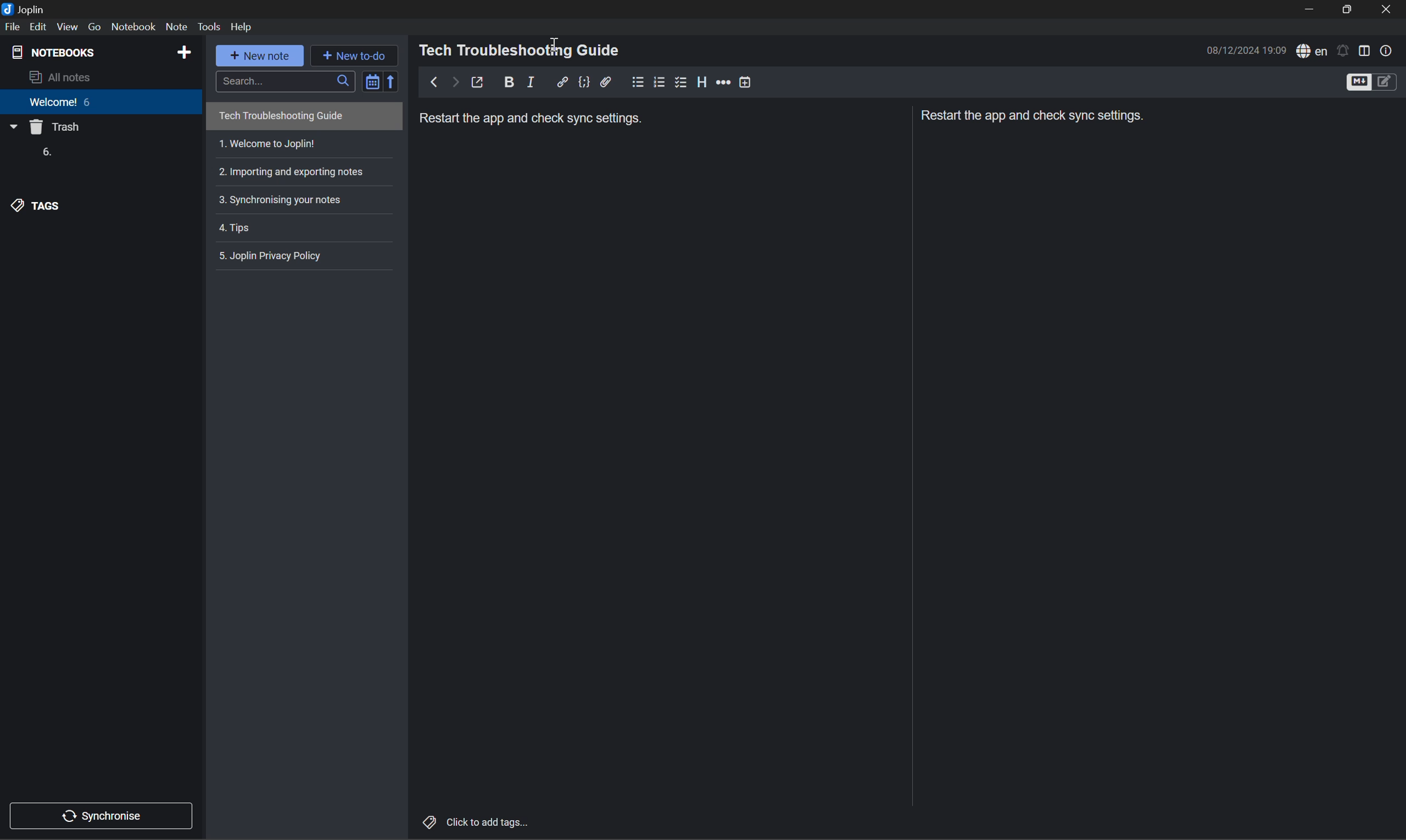 The image size is (1406, 840). I want to click on File, so click(12, 27).